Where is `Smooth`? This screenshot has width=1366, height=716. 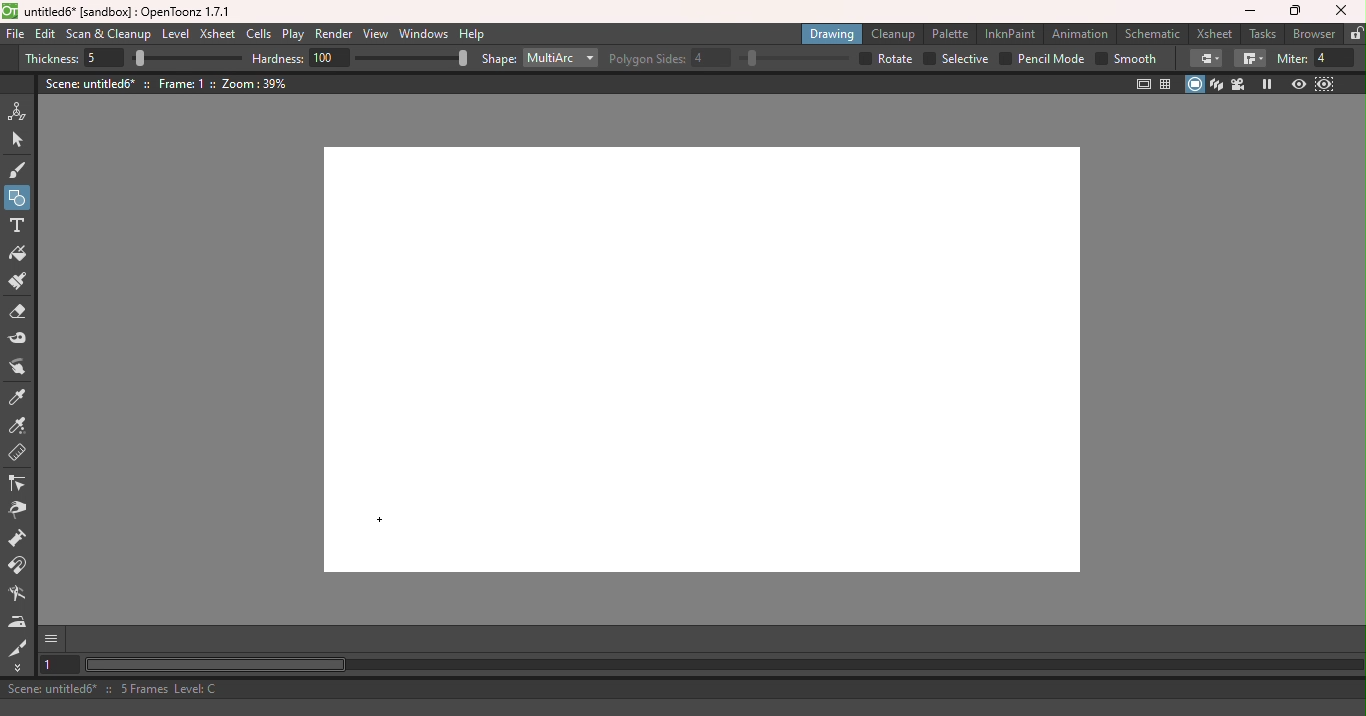
Smooth is located at coordinates (1126, 60).